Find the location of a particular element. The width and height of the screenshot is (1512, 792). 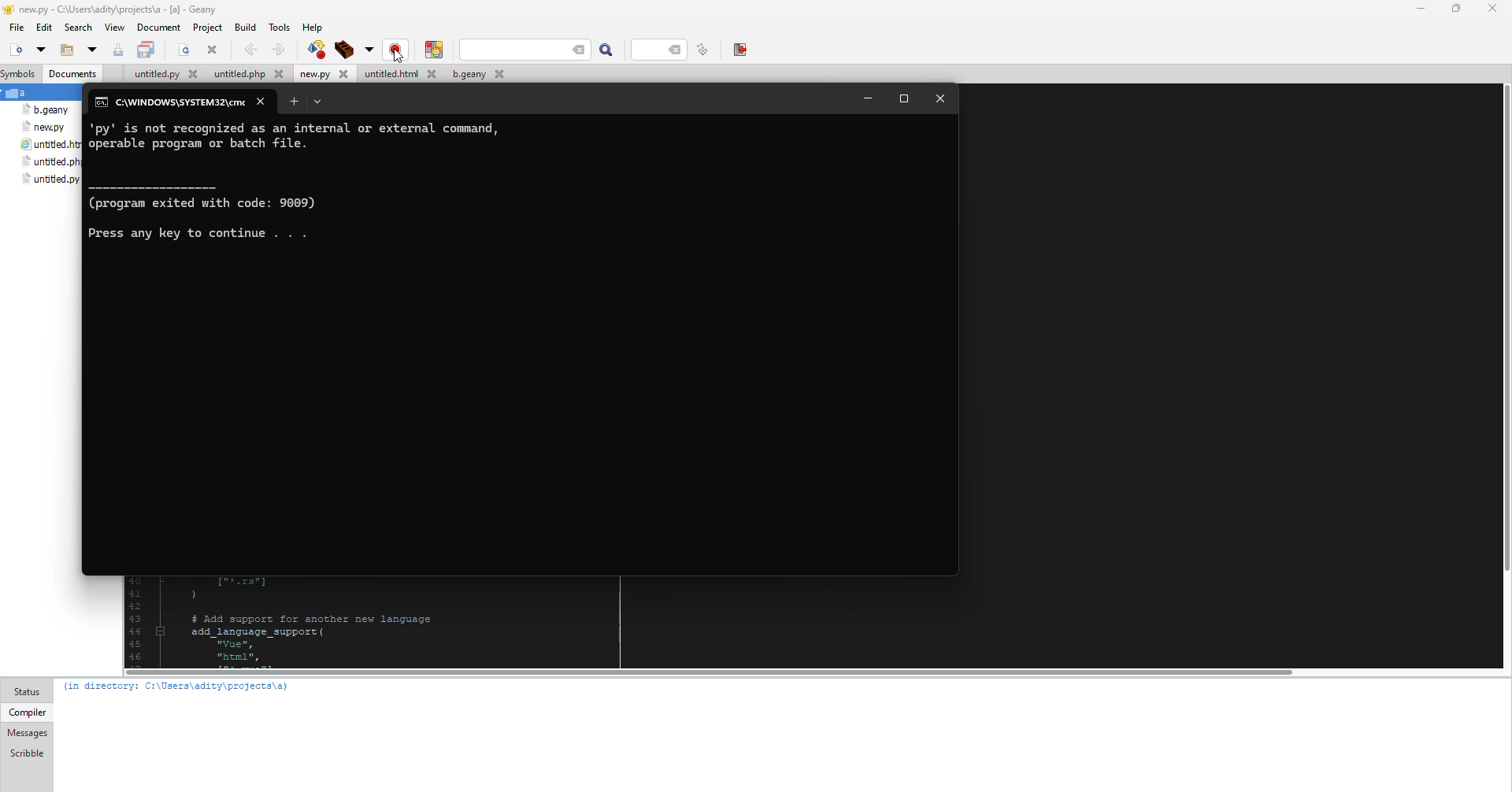

status is located at coordinates (31, 691).